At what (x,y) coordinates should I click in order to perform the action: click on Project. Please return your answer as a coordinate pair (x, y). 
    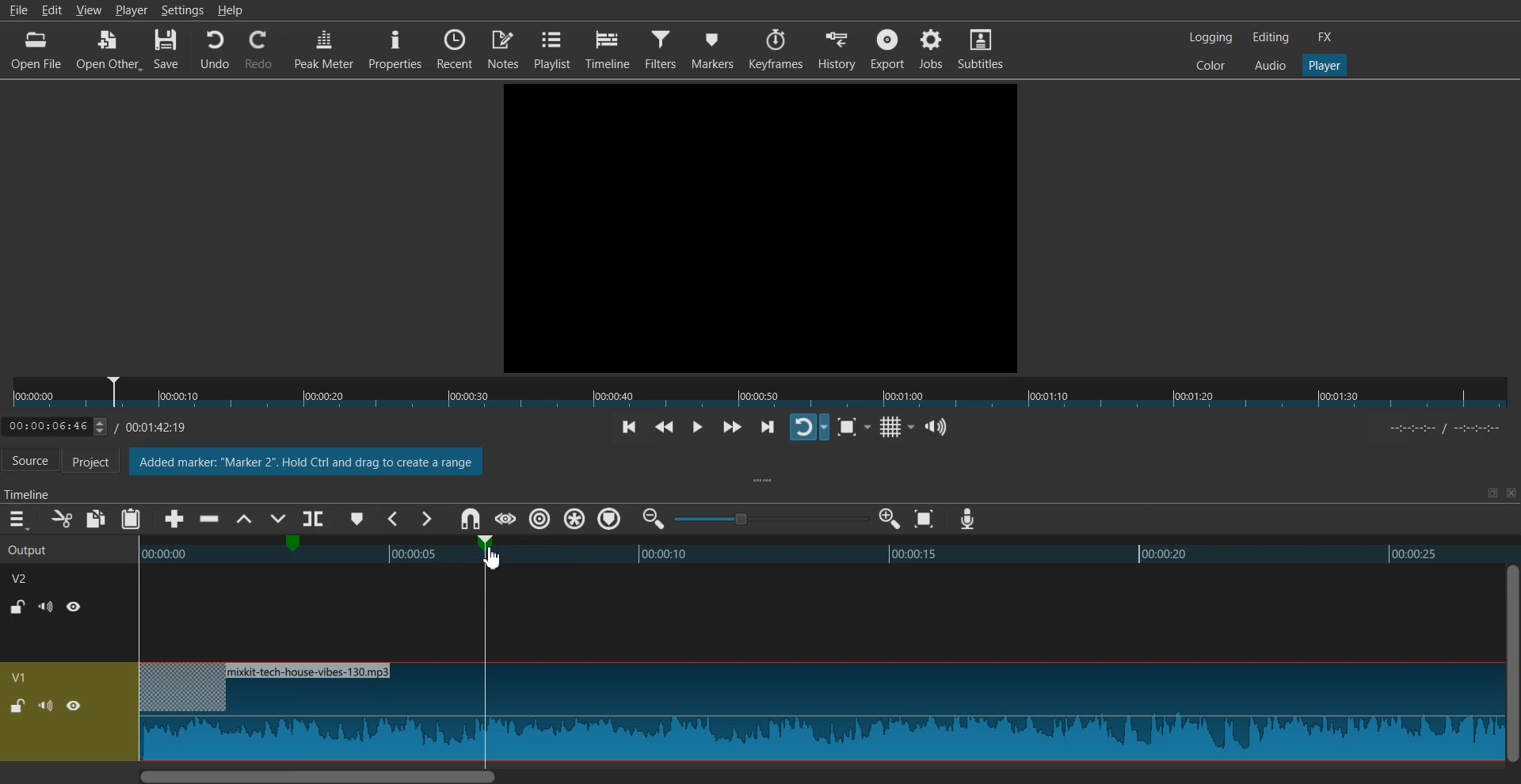
    Looking at the image, I should click on (99, 462).